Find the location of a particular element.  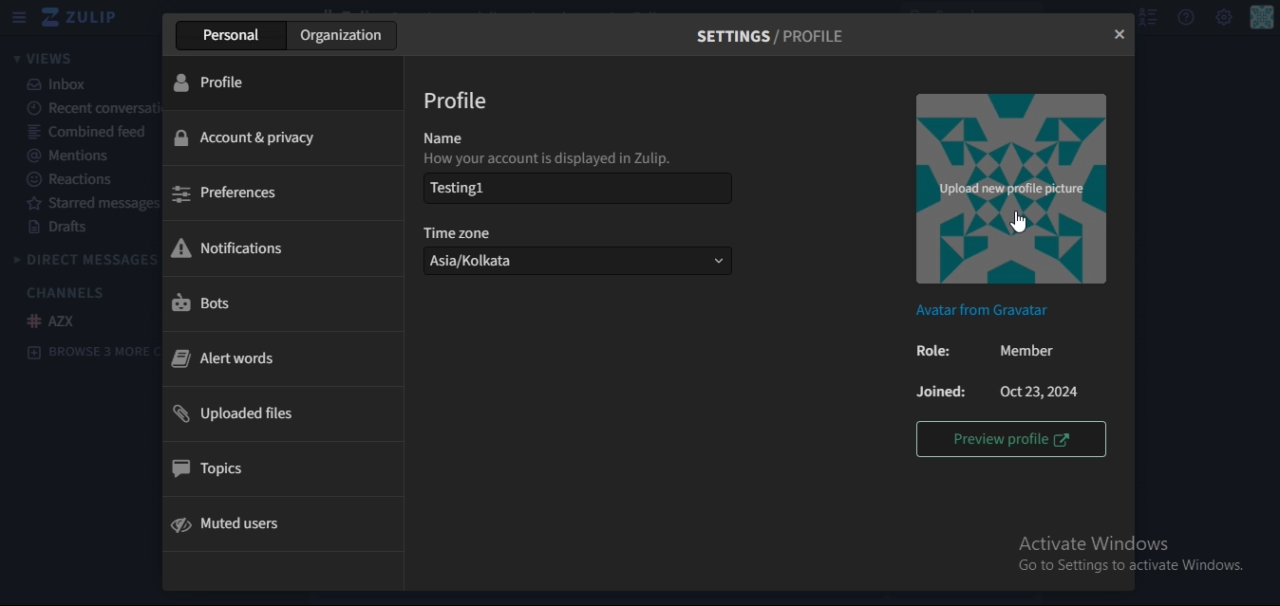

personal is located at coordinates (235, 35).